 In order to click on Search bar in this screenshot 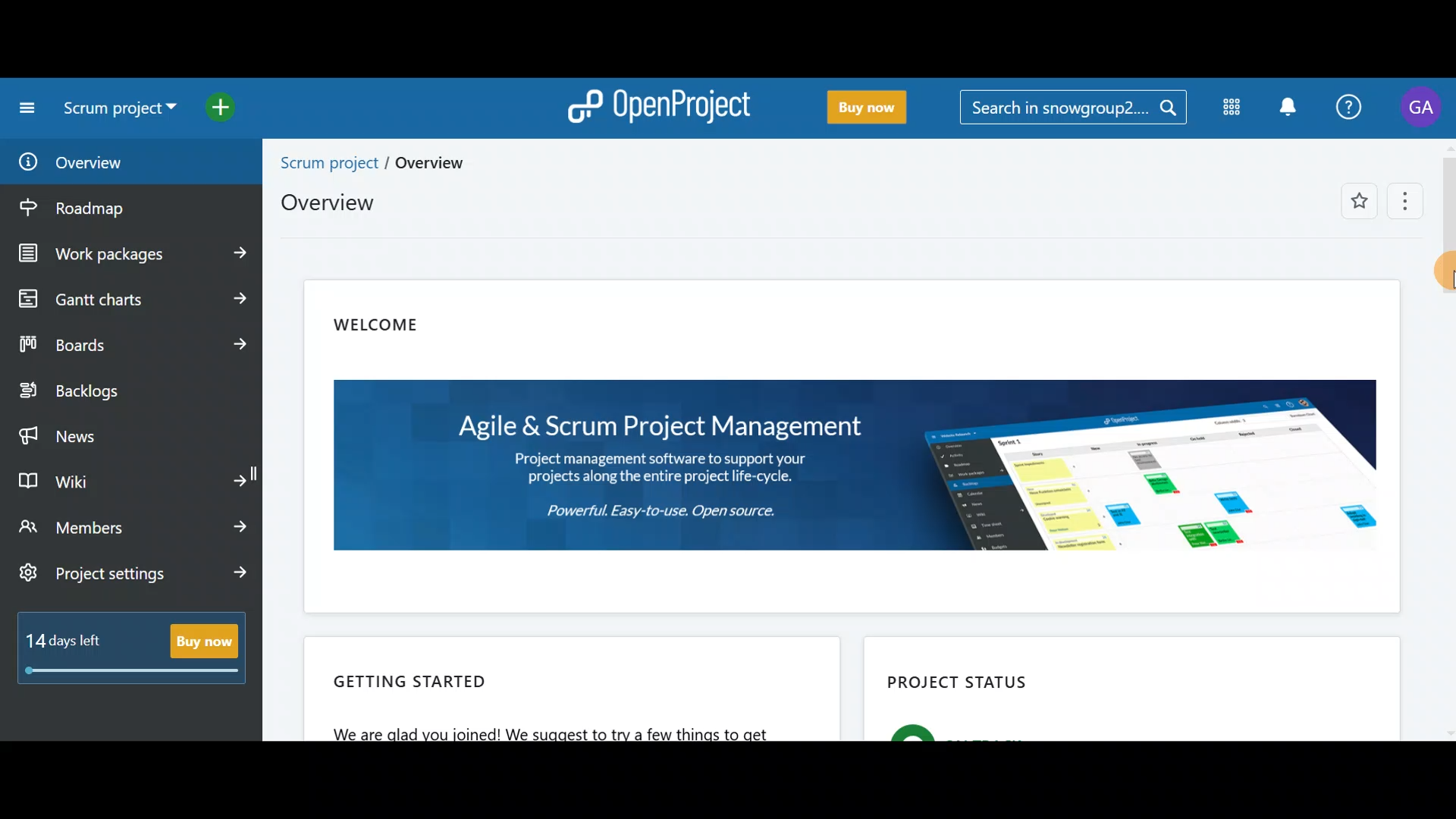, I will do `click(1072, 110)`.